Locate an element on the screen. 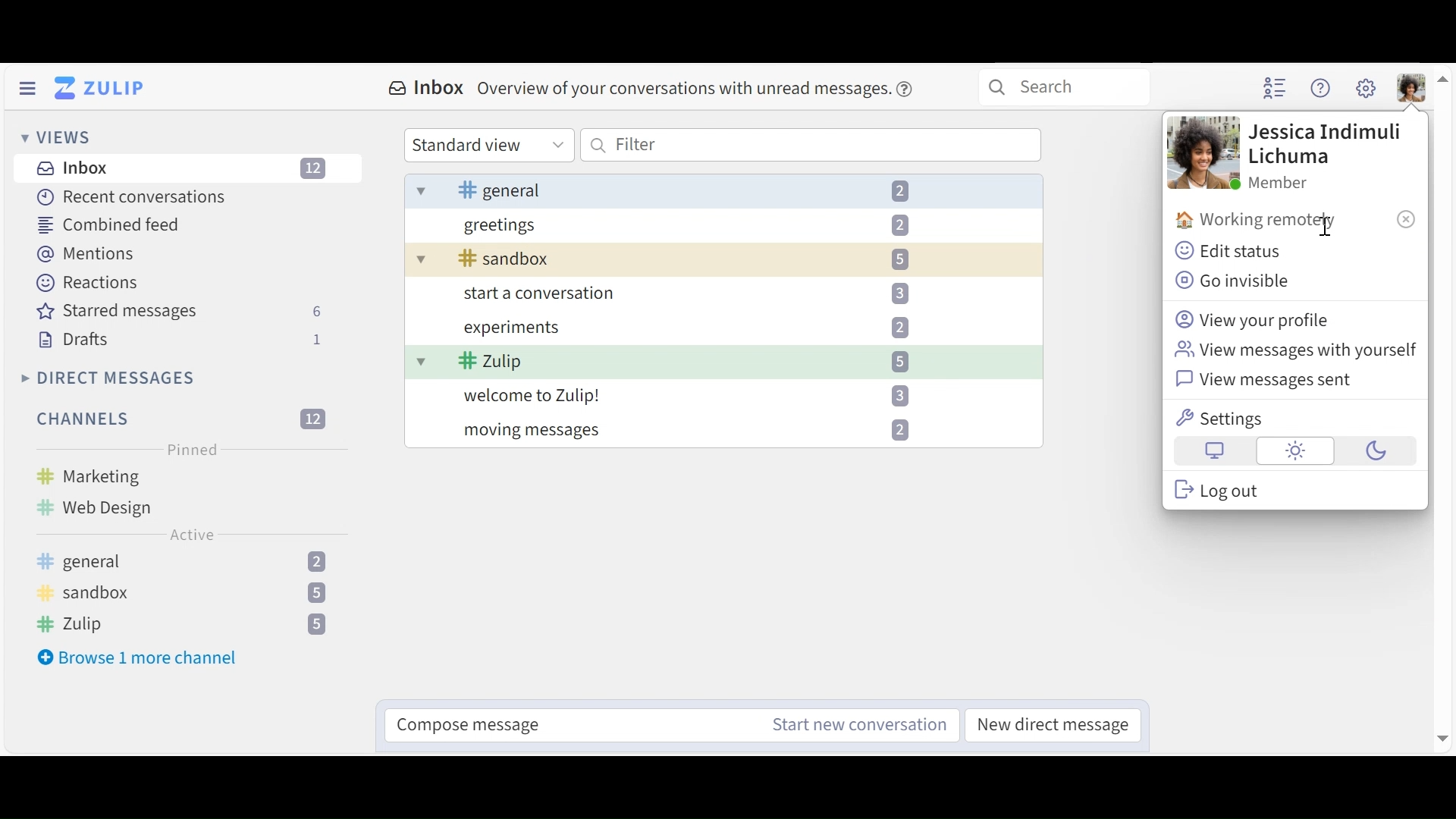 The height and width of the screenshot is (819, 1456). Settings is located at coordinates (1225, 420).